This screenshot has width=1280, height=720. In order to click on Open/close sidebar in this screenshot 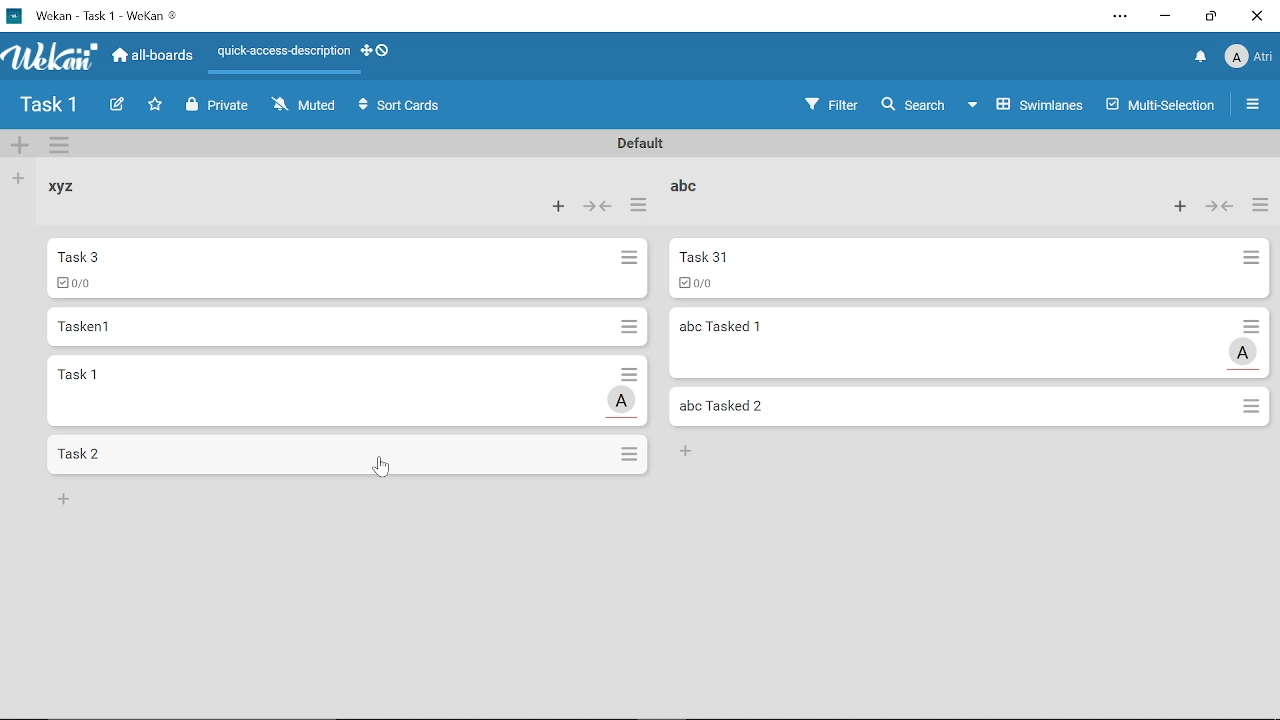, I will do `click(1255, 107)`.